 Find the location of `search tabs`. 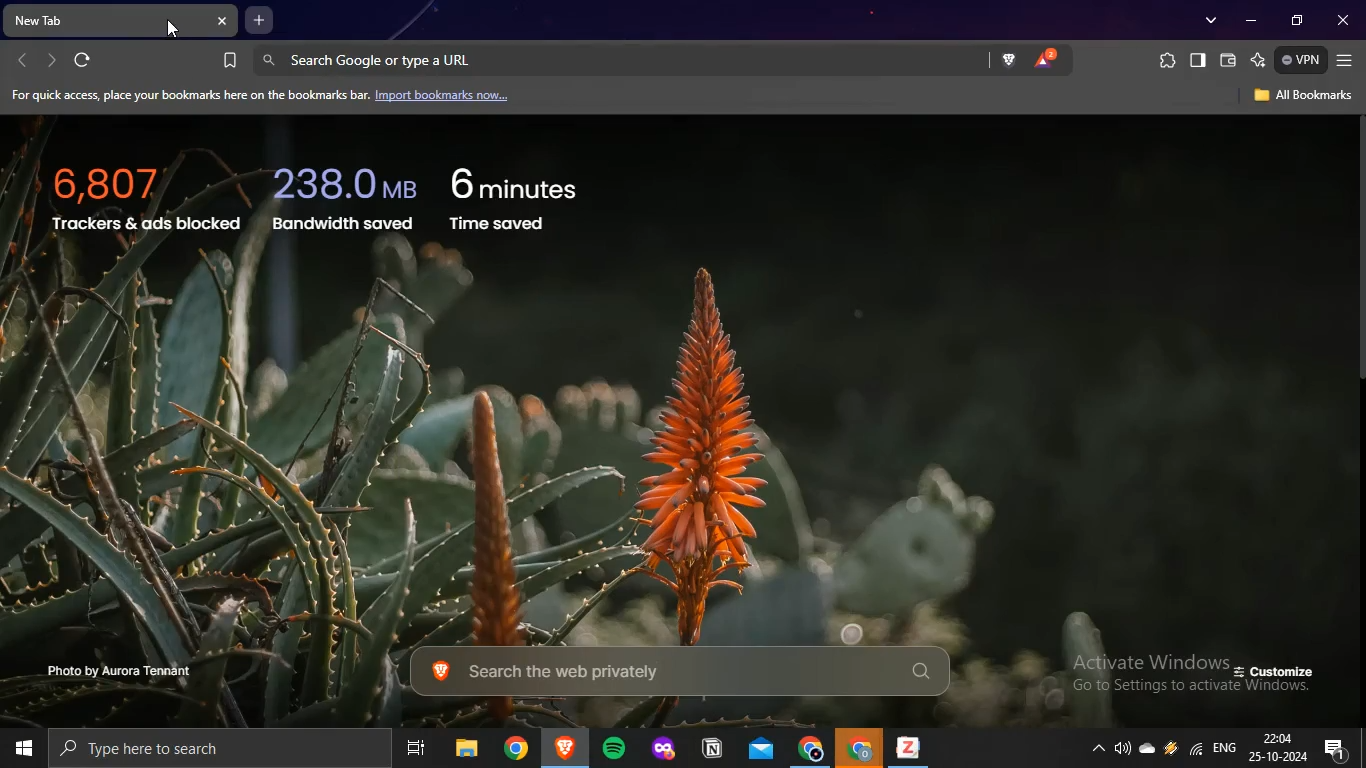

search tabs is located at coordinates (1209, 21).